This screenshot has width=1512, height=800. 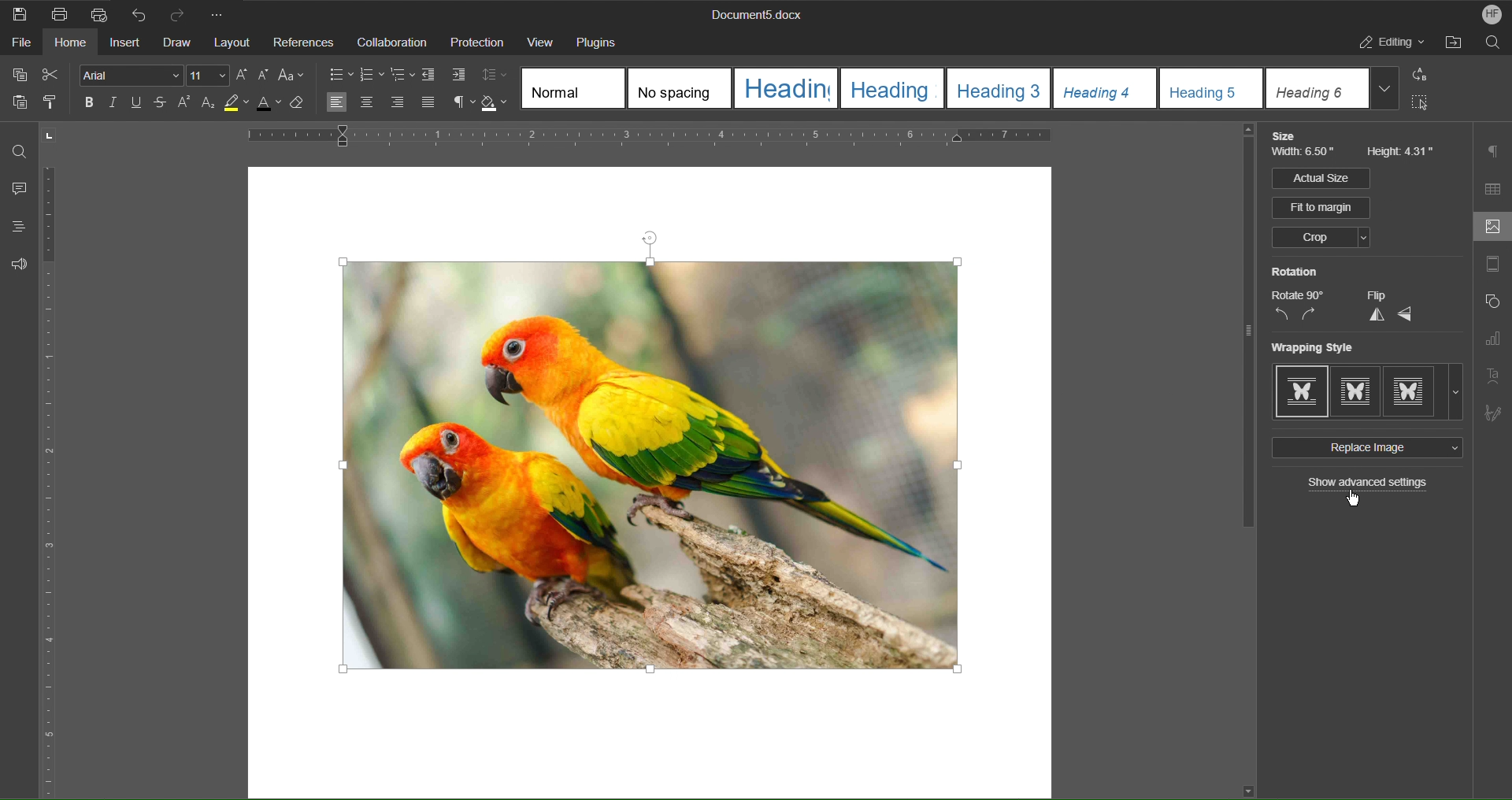 What do you see at coordinates (113, 103) in the screenshot?
I see `Italic` at bounding box center [113, 103].